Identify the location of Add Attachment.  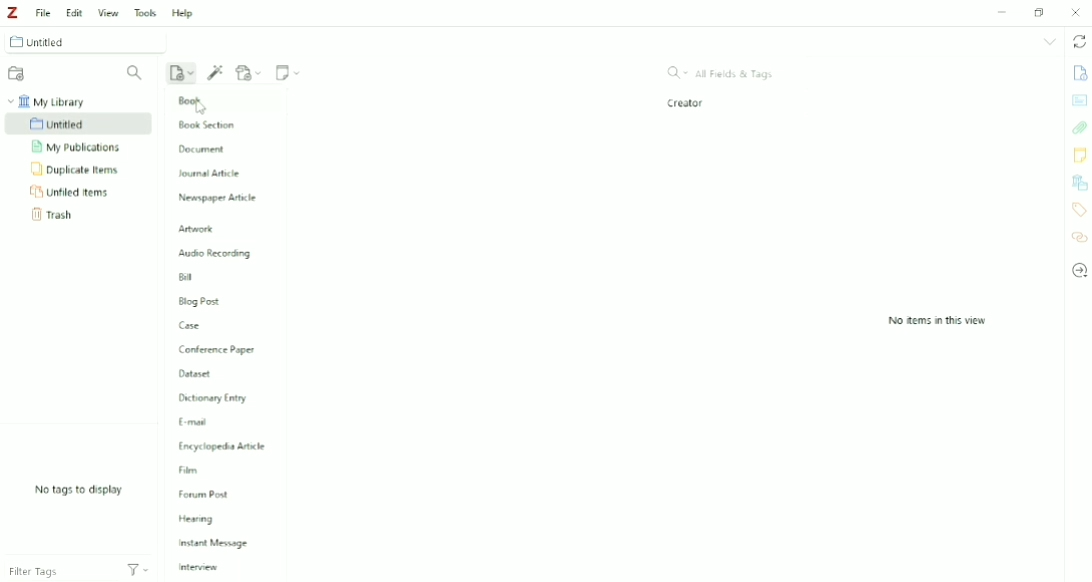
(250, 71).